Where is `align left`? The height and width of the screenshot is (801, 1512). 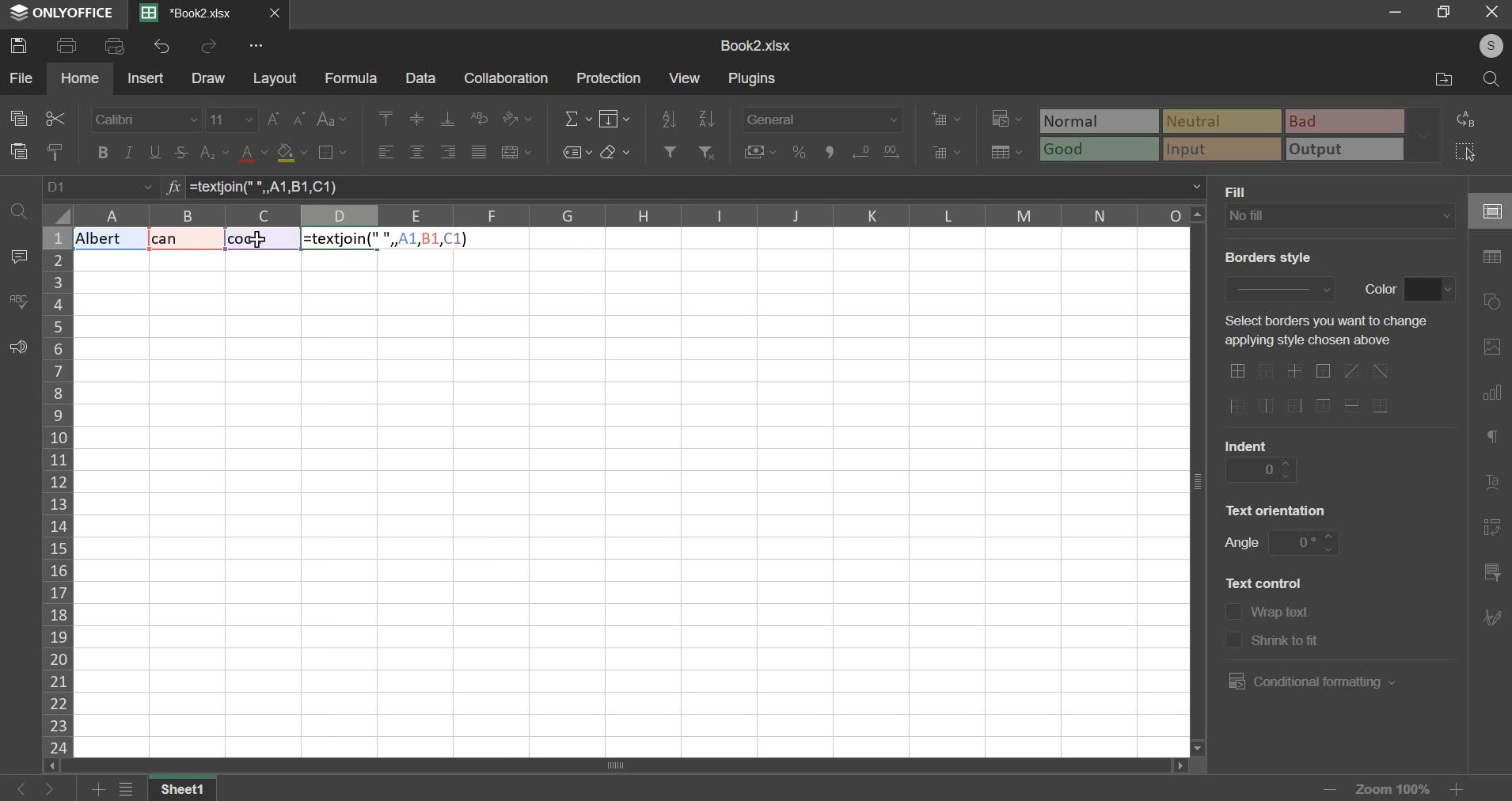
align left is located at coordinates (382, 117).